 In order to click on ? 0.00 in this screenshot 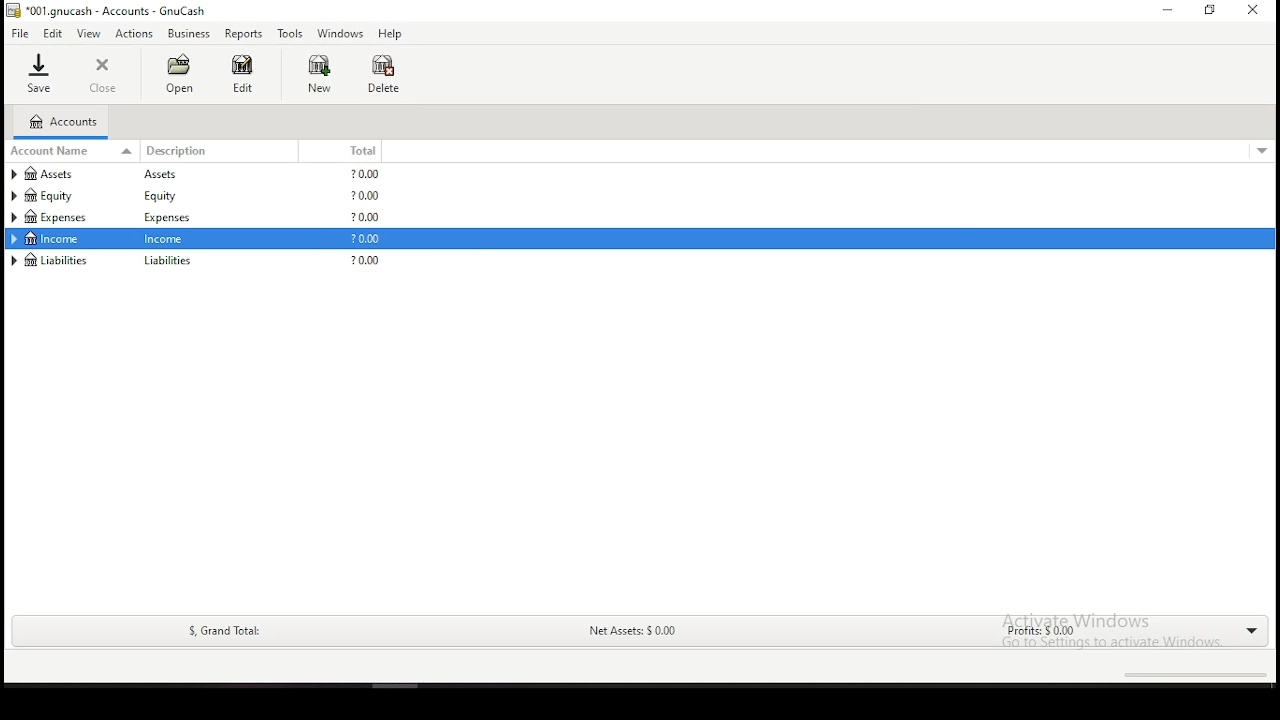, I will do `click(367, 174)`.